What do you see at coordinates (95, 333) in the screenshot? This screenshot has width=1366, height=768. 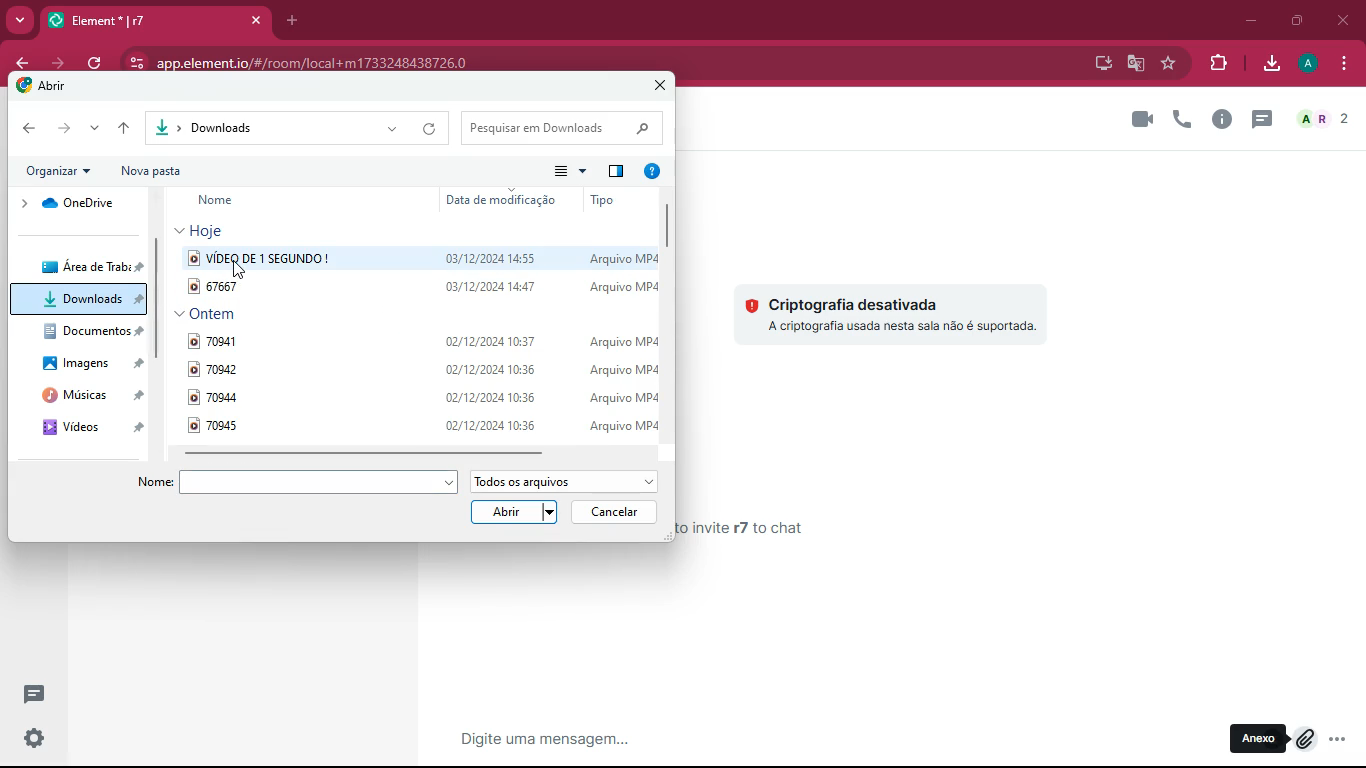 I see `documentos` at bounding box center [95, 333].